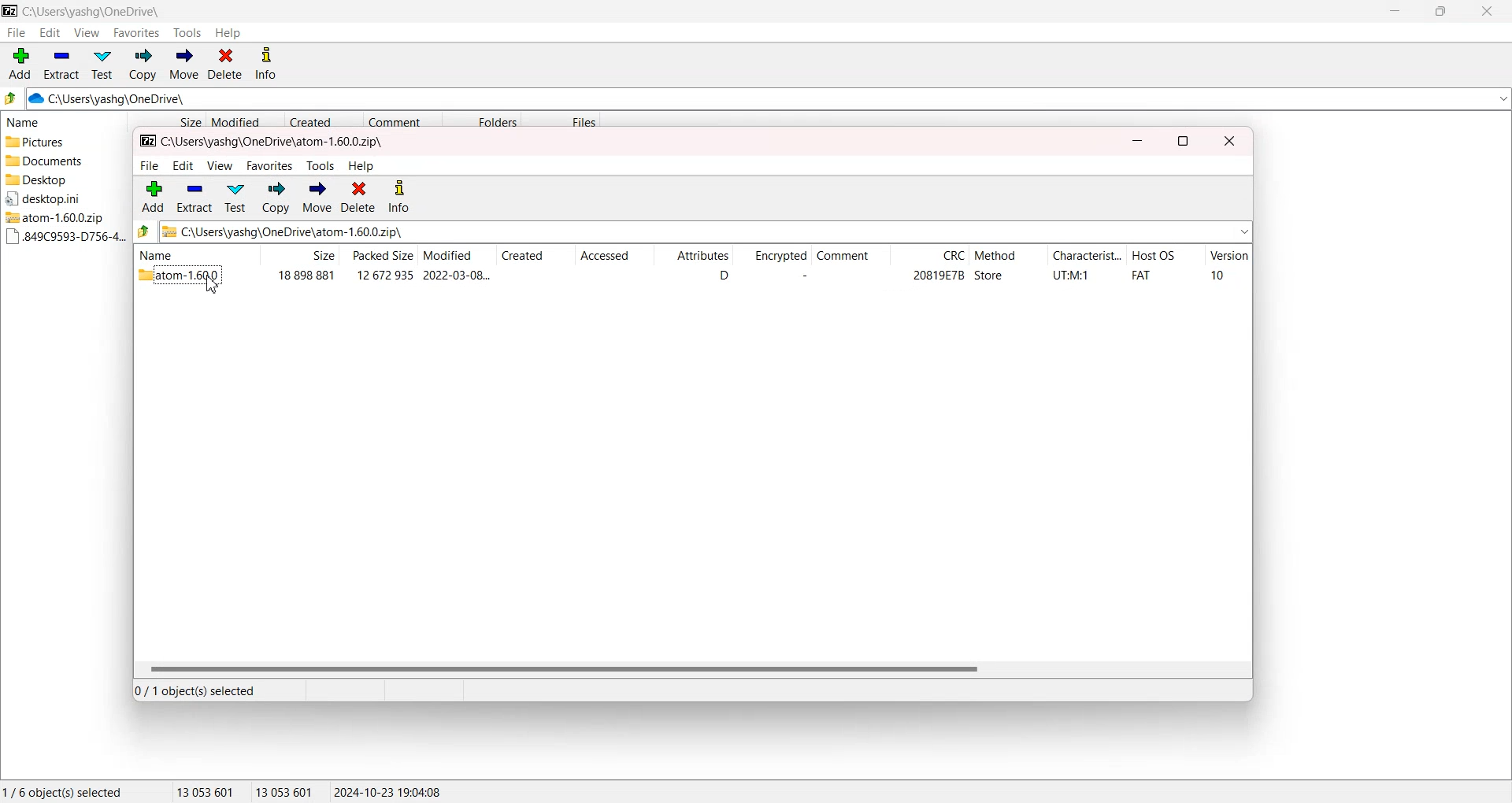 Image resolution: width=1512 pixels, height=803 pixels. I want to click on Test, so click(102, 65).